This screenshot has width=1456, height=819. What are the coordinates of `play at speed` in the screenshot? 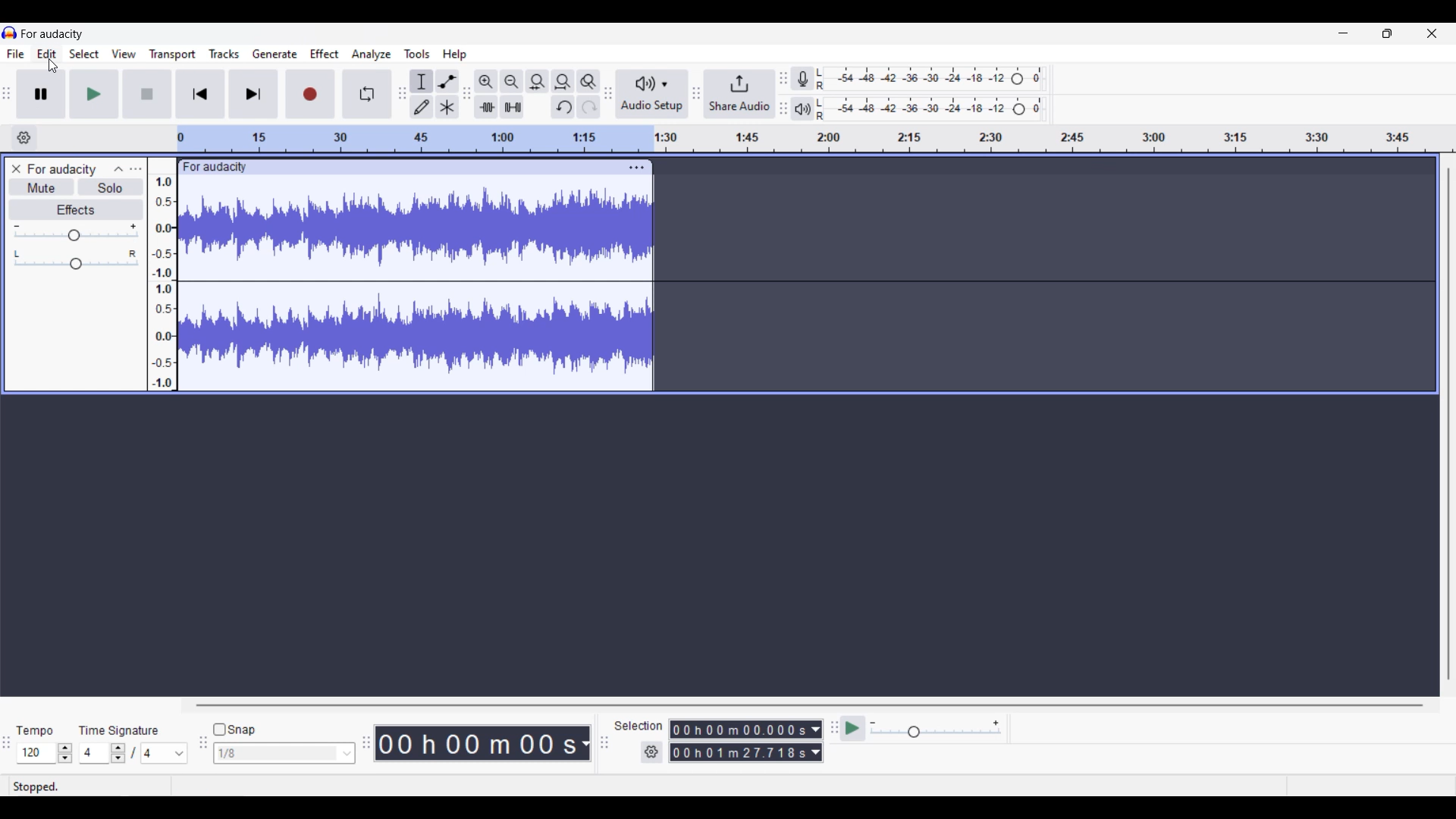 It's located at (852, 727).